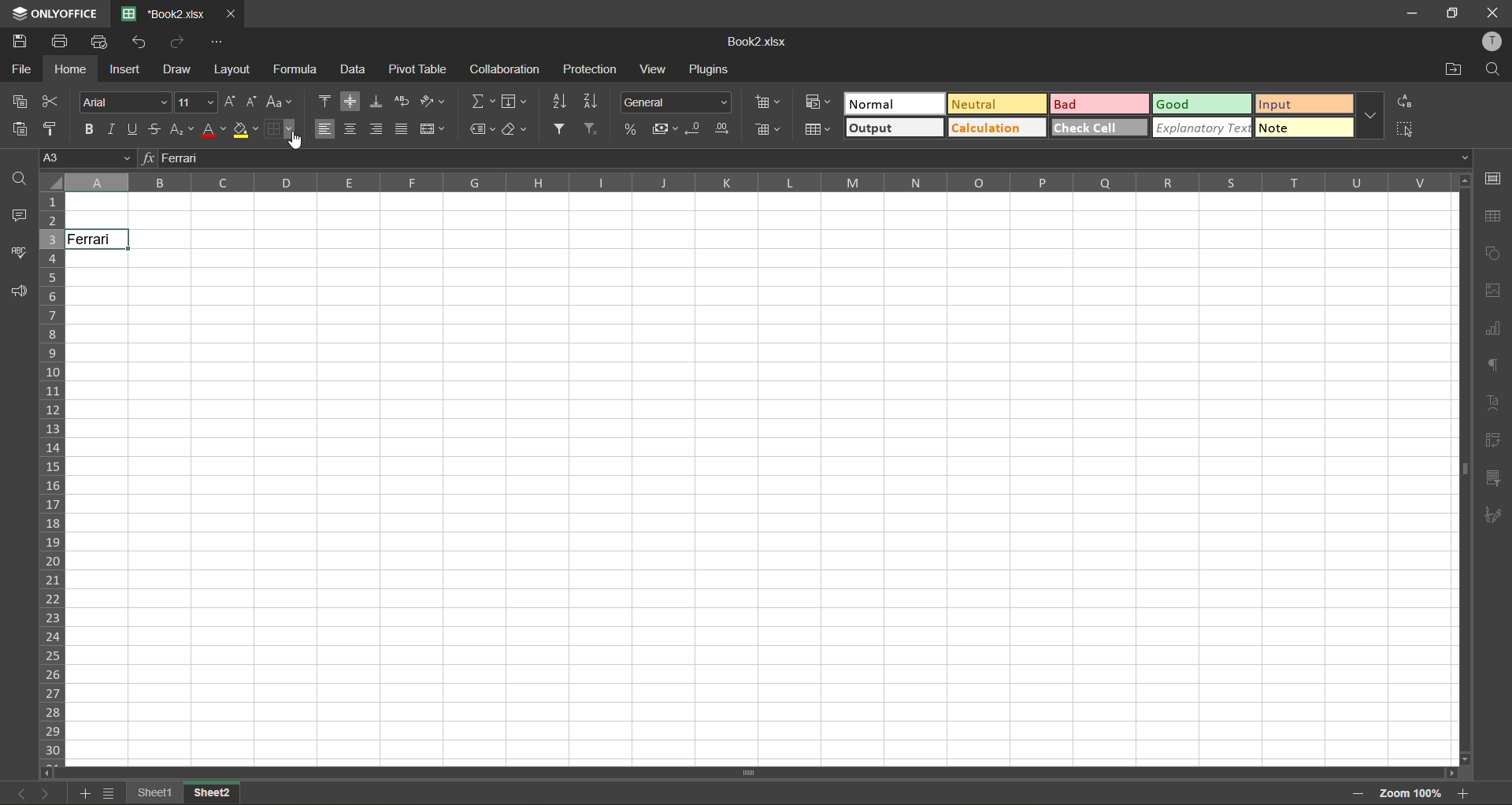 The height and width of the screenshot is (805, 1512). I want to click on cut, so click(54, 102).